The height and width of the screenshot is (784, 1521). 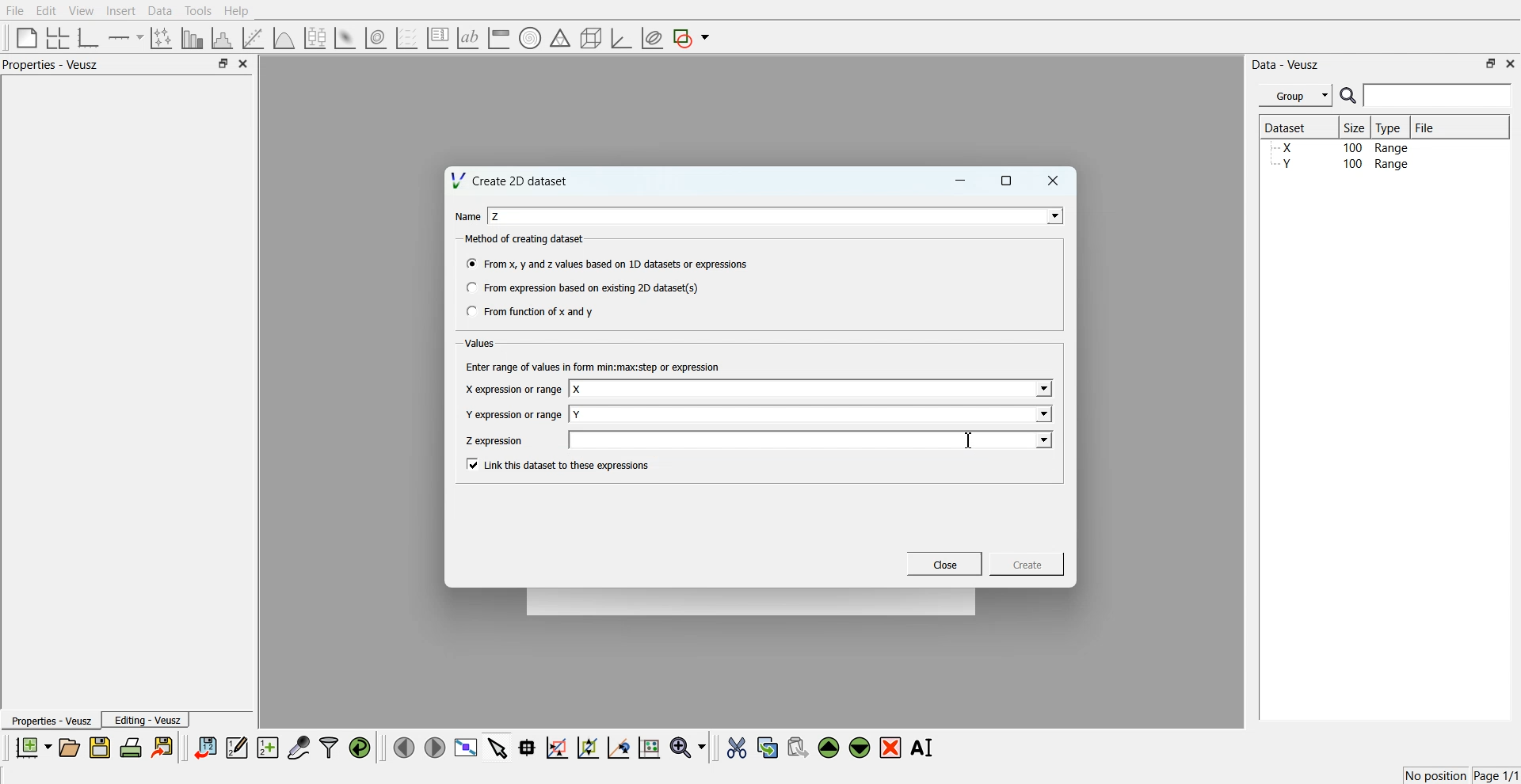 What do you see at coordinates (960, 181) in the screenshot?
I see `Minimize` at bounding box center [960, 181].